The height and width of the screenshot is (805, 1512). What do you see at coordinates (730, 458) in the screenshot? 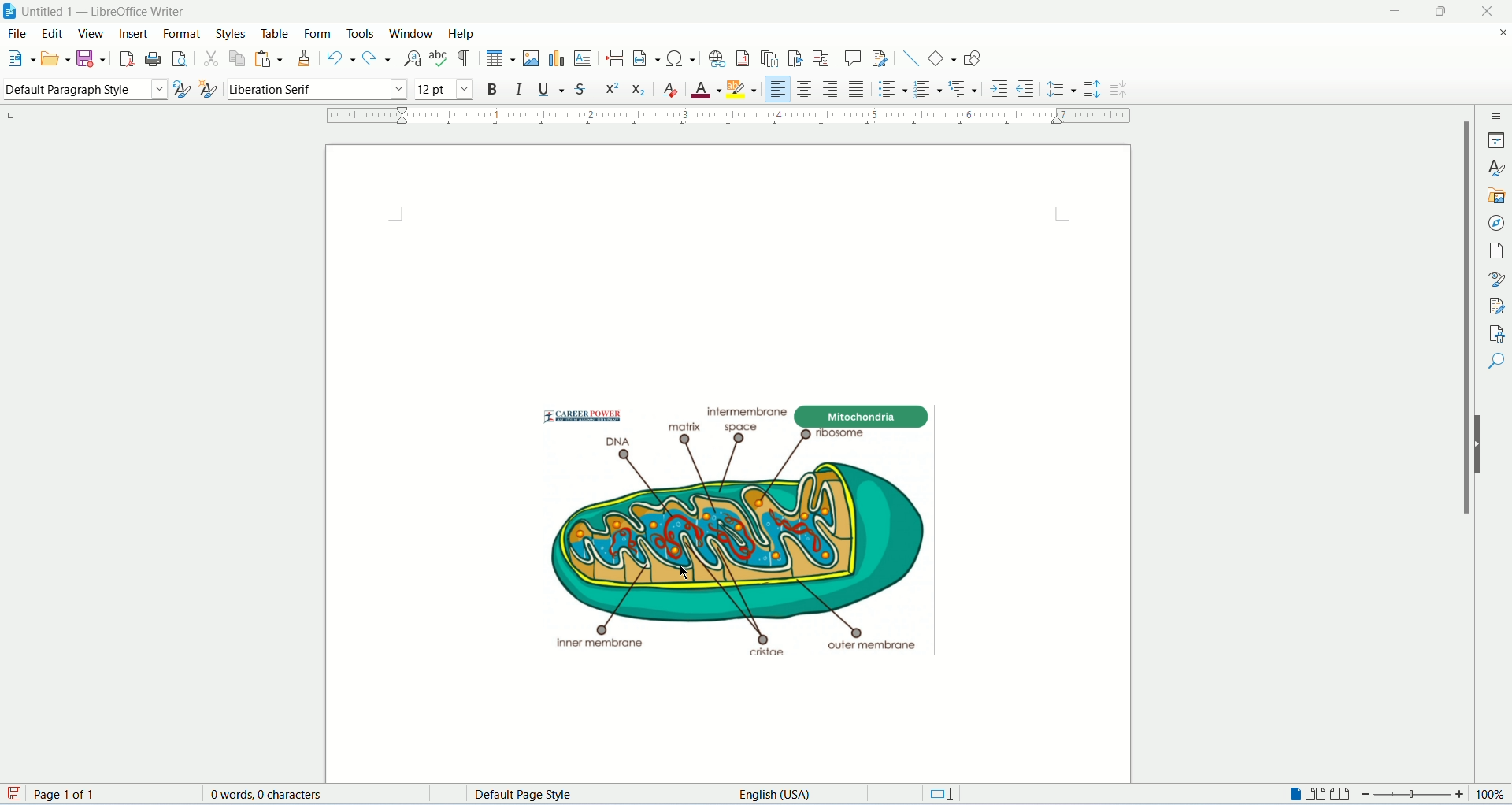
I see `main page` at bounding box center [730, 458].